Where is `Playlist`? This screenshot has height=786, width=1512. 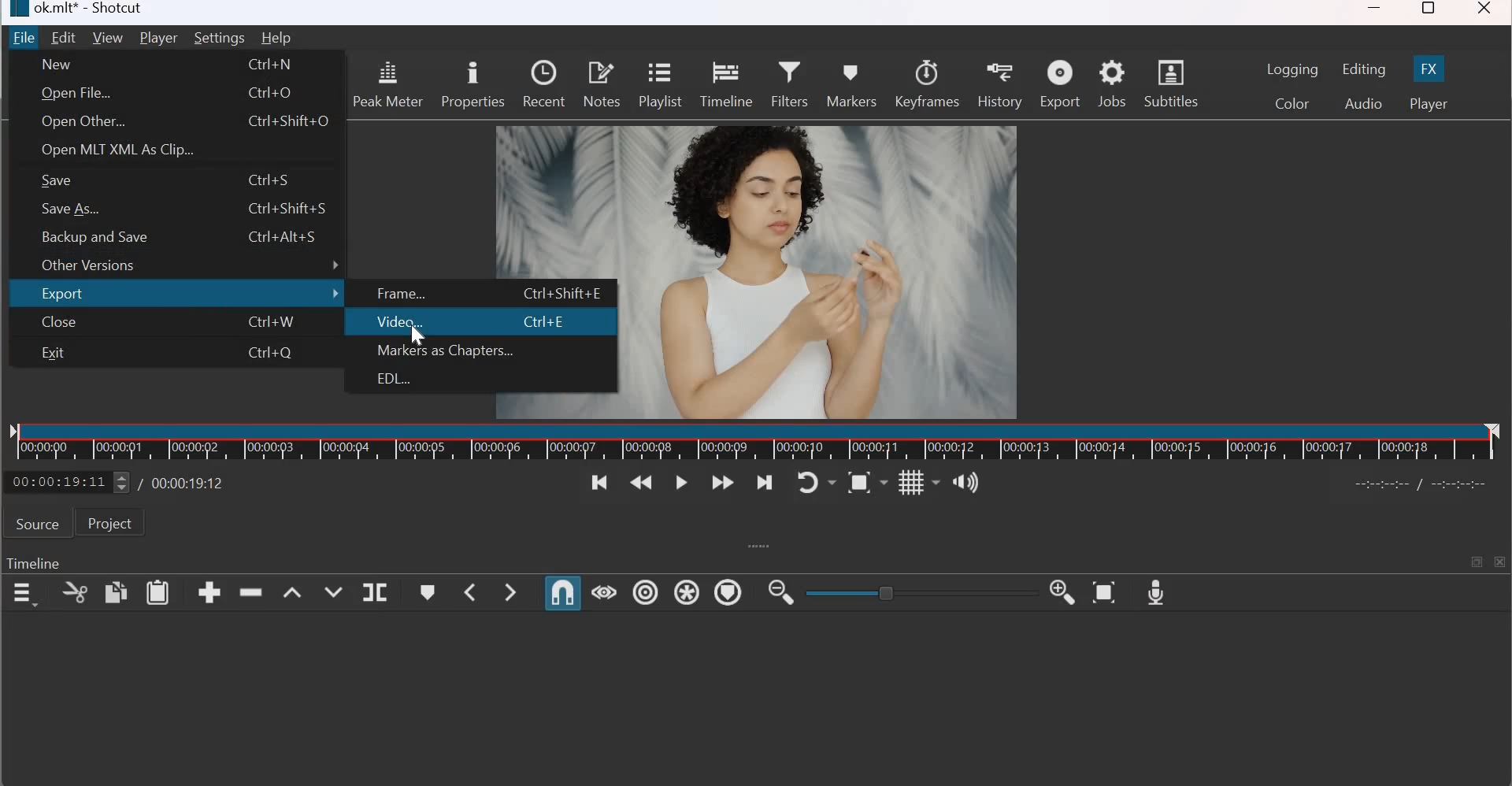 Playlist is located at coordinates (663, 86).